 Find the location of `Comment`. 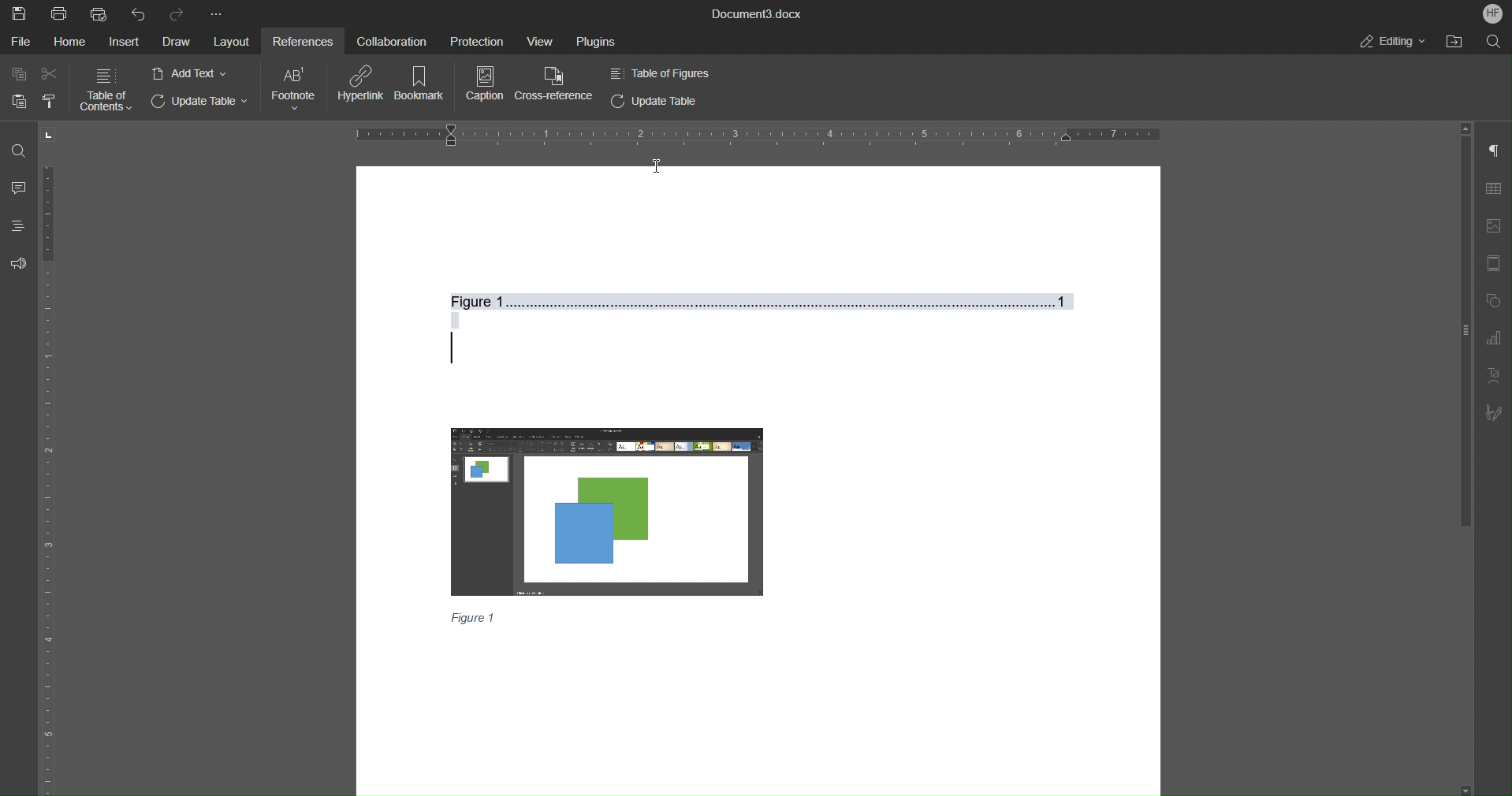

Comment is located at coordinates (18, 186).